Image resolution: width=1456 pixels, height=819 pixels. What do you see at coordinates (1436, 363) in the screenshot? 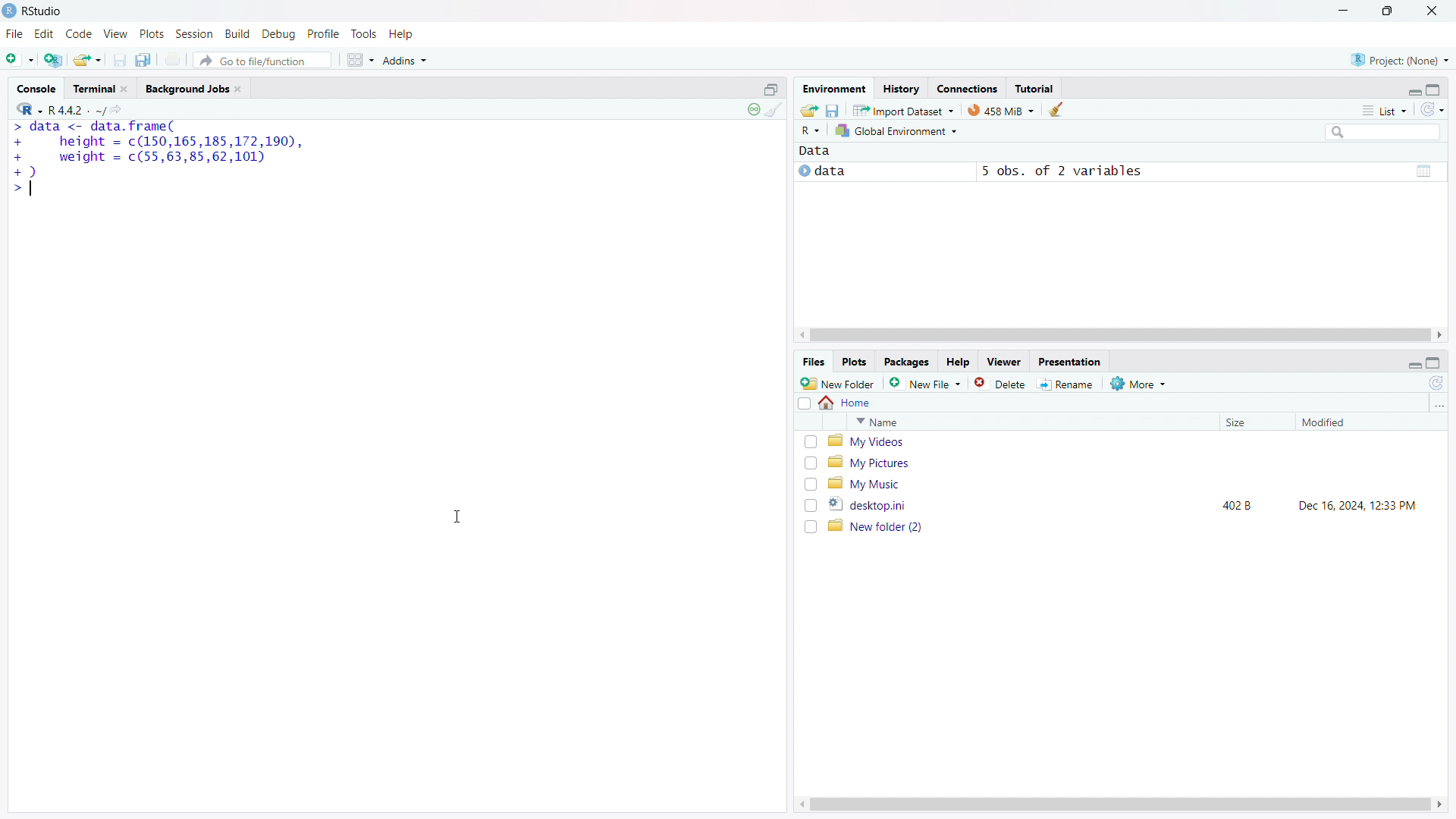
I see `expand pane` at bounding box center [1436, 363].